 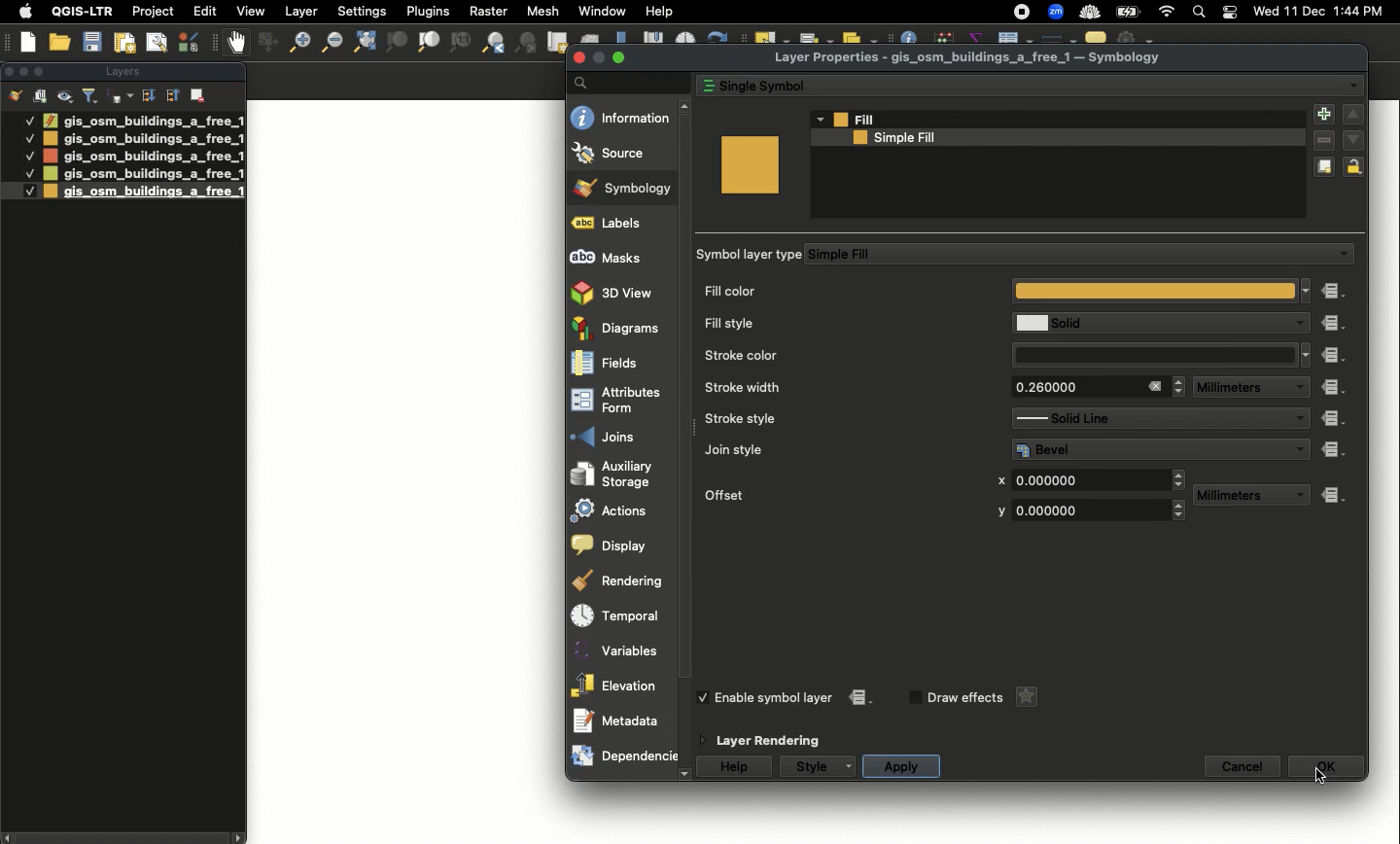 I want to click on gis_osm_buildings_a_free_1, so click(x=144, y=192).